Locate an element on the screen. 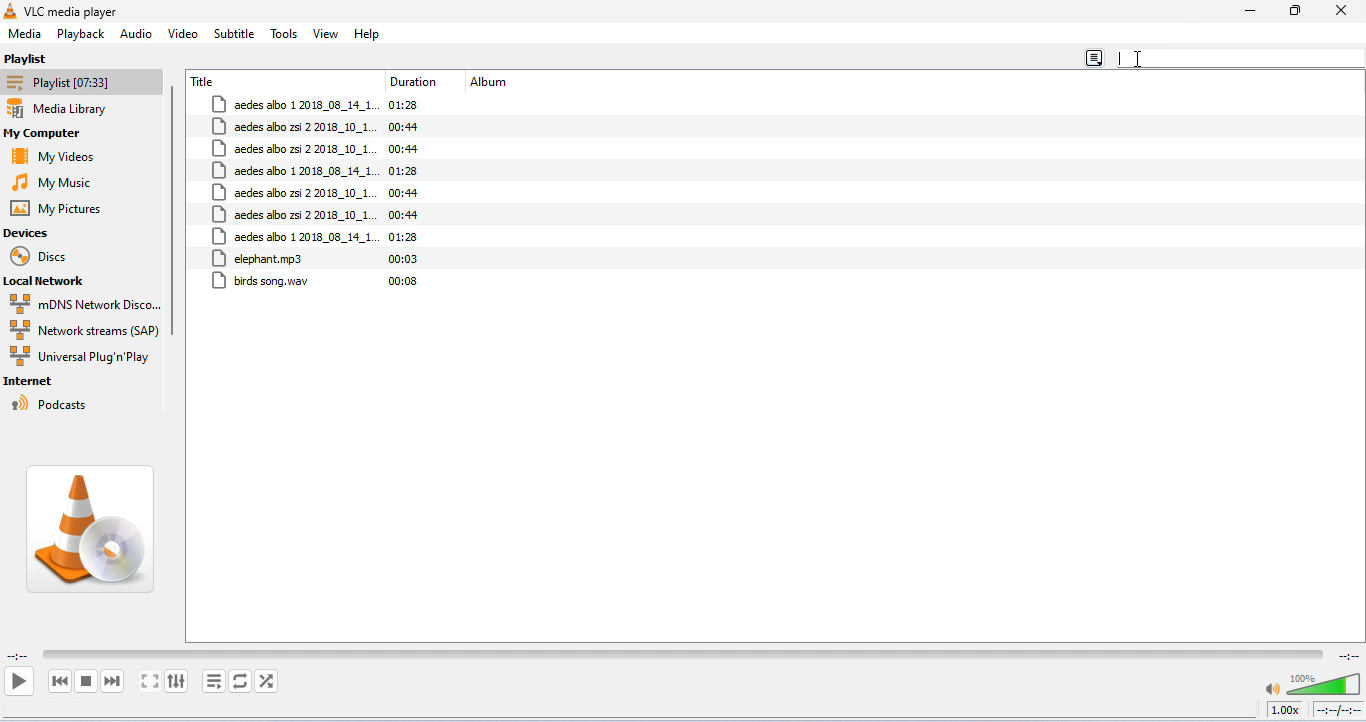 This screenshot has width=1366, height=722. Network streams (SAP) is located at coordinates (83, 330).